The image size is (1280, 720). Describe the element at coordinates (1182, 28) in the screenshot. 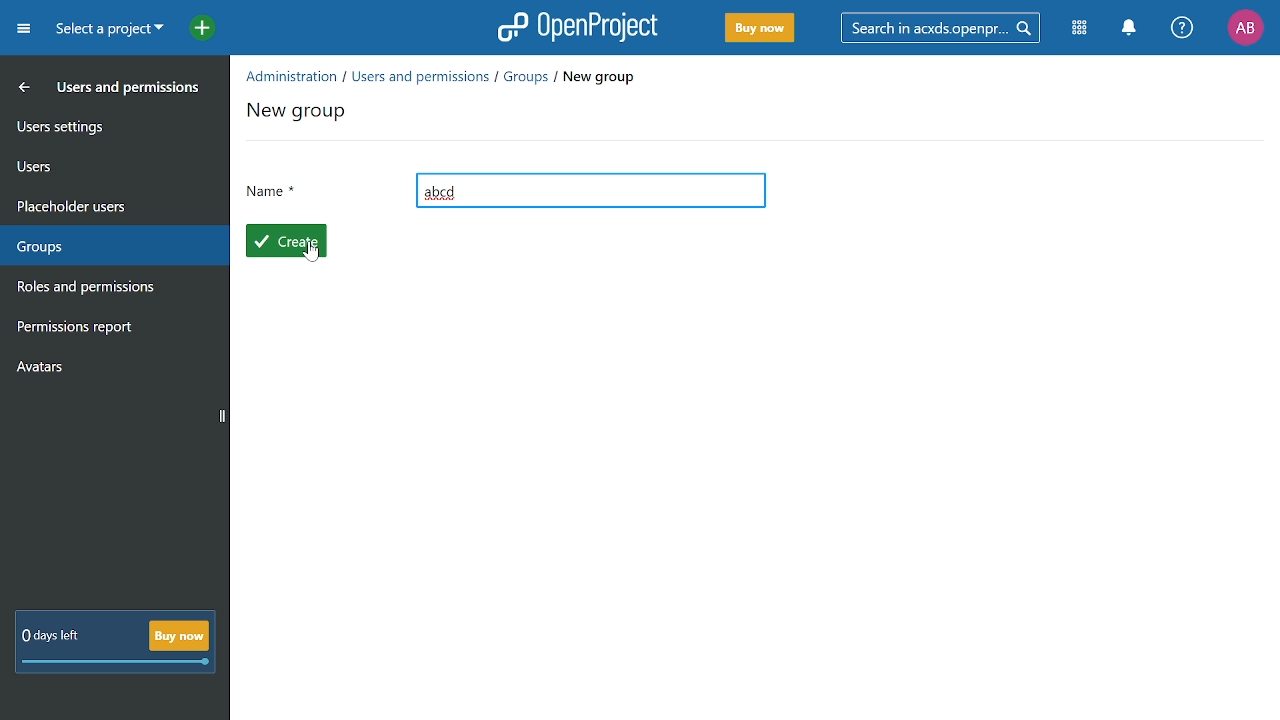

I see `help` at that location.